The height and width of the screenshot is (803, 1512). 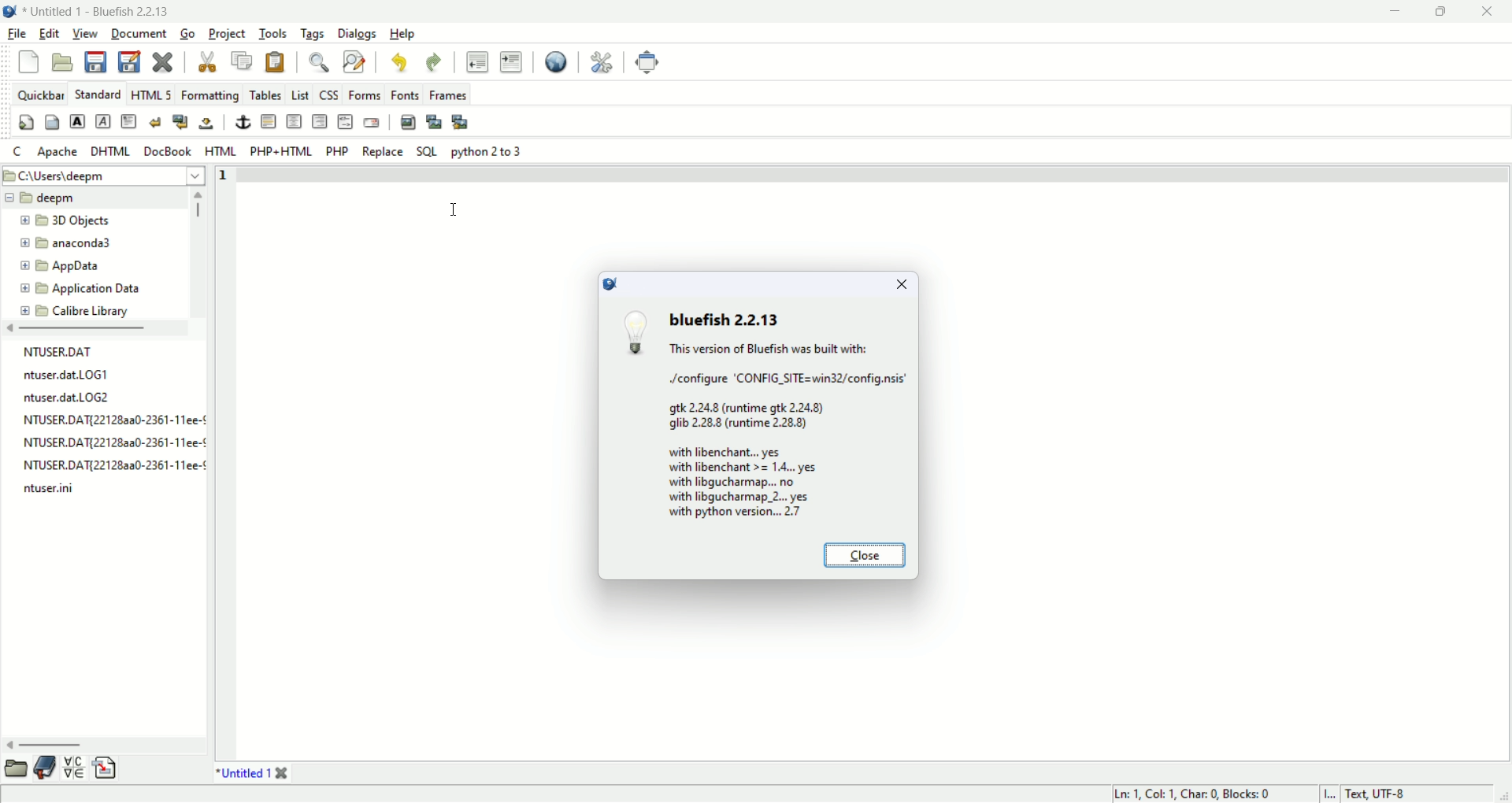 I want to click on tags, so click(x=313, y=35).